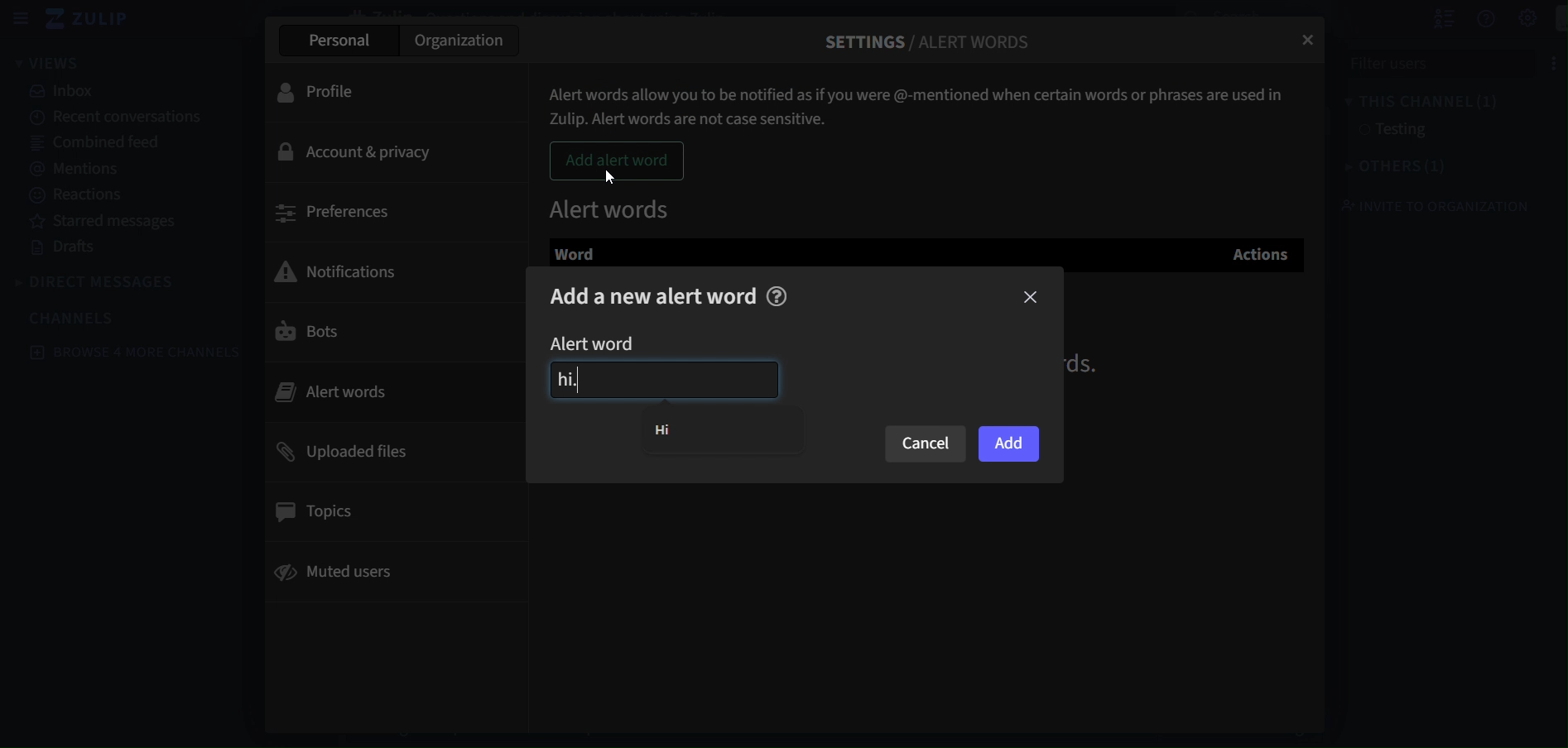 The image size is (1568, 748). I want to click on Alert words allow you to be notified as if you were @-mentioned when certain words or phrases are used in Zulip., so click(921, 100).